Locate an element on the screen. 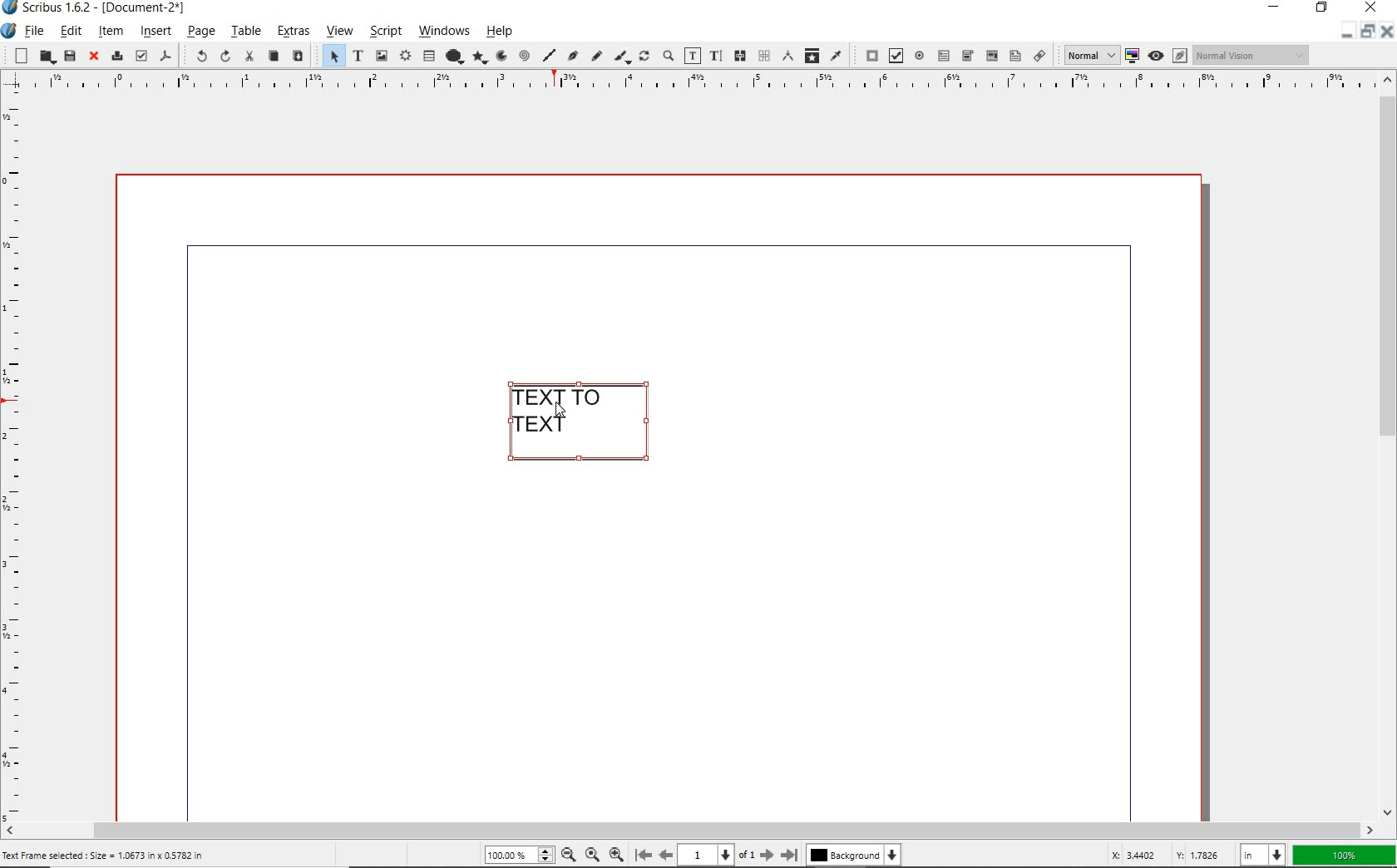  unlink text frames is located at coordinates (763, 57).